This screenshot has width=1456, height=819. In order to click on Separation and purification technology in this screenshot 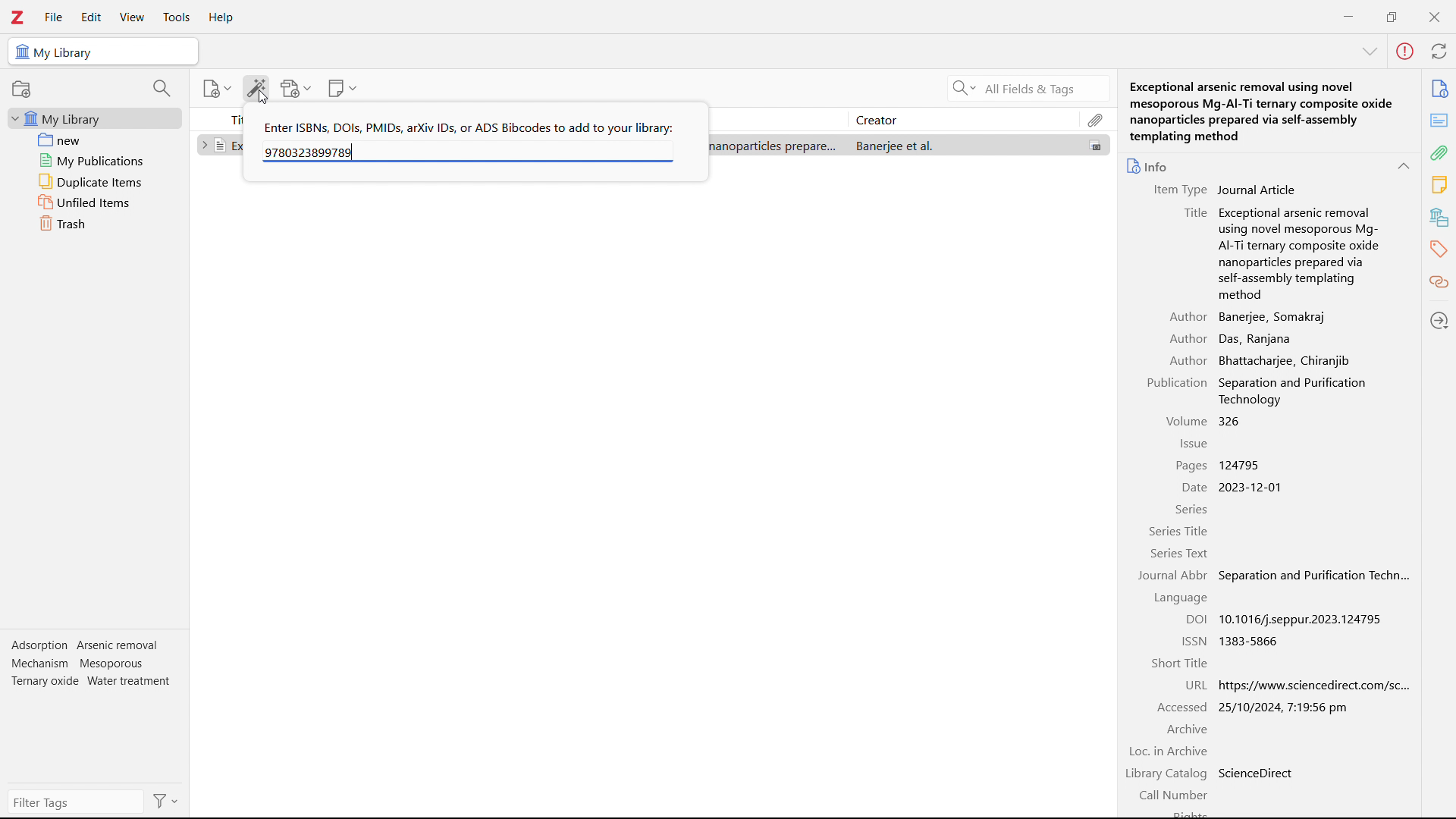, I will do `click(1313, 575)`.